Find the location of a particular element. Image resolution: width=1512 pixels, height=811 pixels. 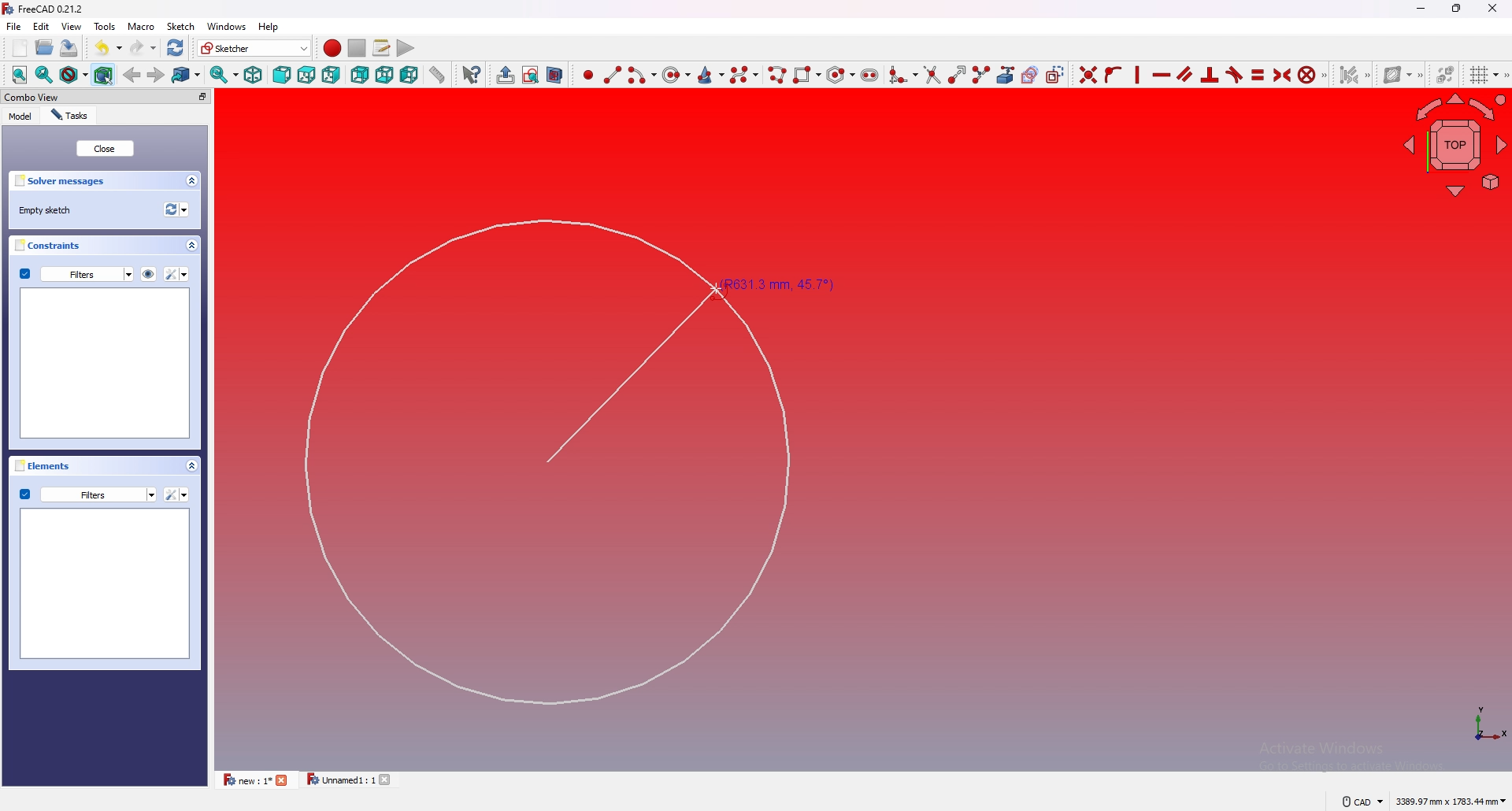

constraint coincident is located at coordinates (1088, 73).